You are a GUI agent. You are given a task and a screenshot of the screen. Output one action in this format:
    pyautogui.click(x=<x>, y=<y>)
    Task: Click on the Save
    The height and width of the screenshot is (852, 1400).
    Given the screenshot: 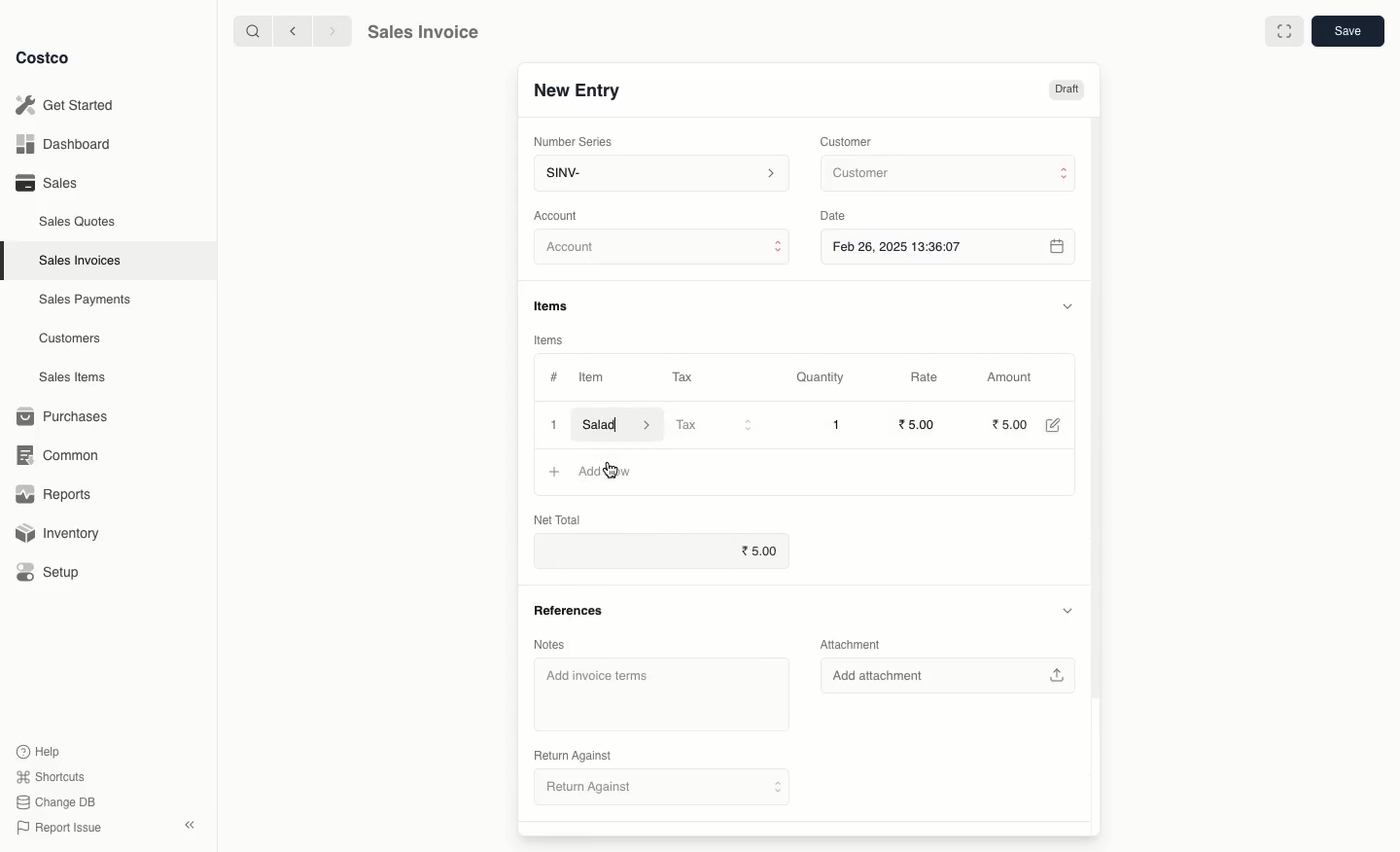 What is the action you would take?
    pyautogui.click(x=1350, y=33)
    